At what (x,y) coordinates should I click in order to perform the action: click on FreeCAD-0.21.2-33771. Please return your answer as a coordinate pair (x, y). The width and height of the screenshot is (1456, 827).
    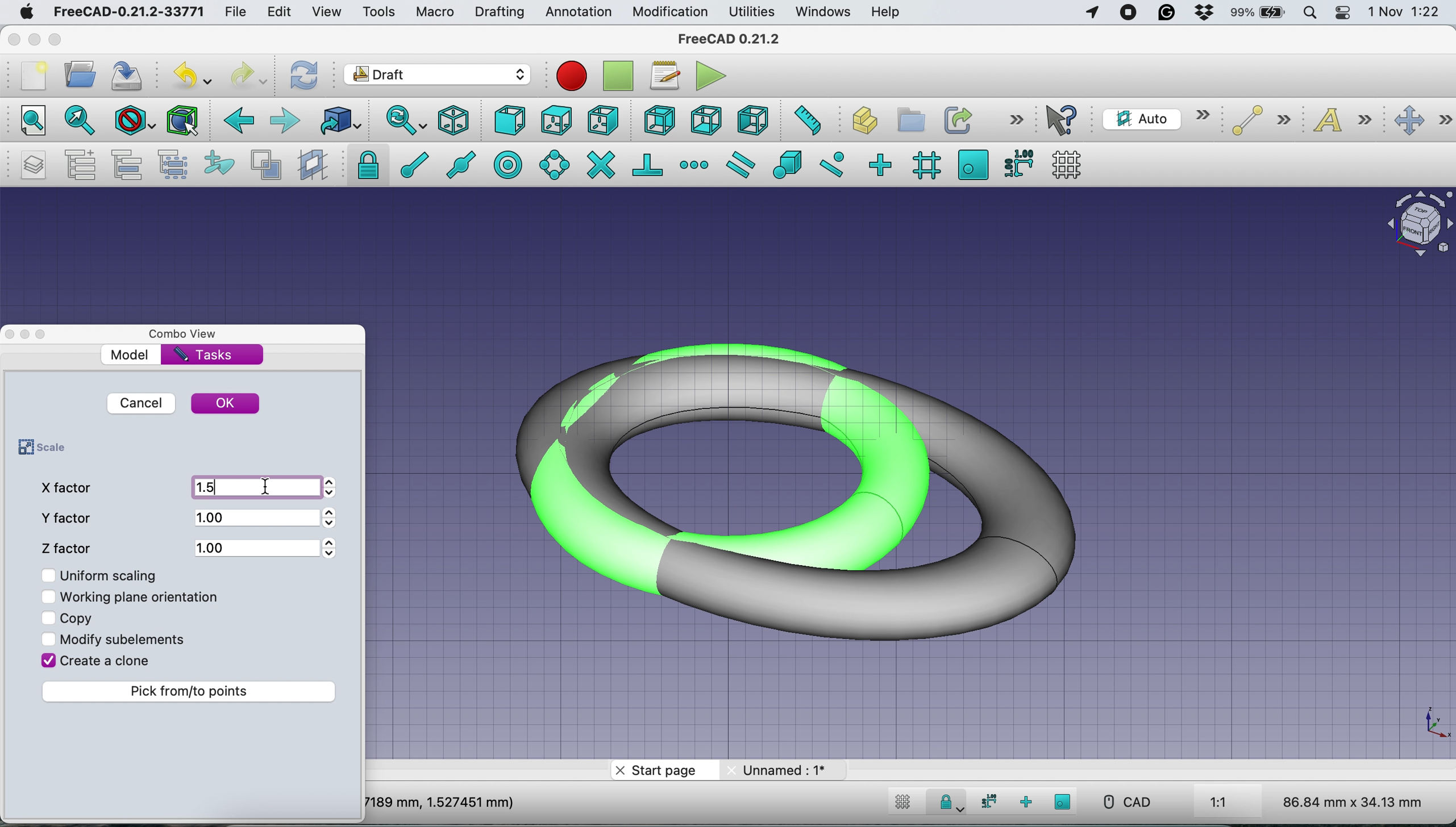
    Looking at the image, I should click on (130, 11).